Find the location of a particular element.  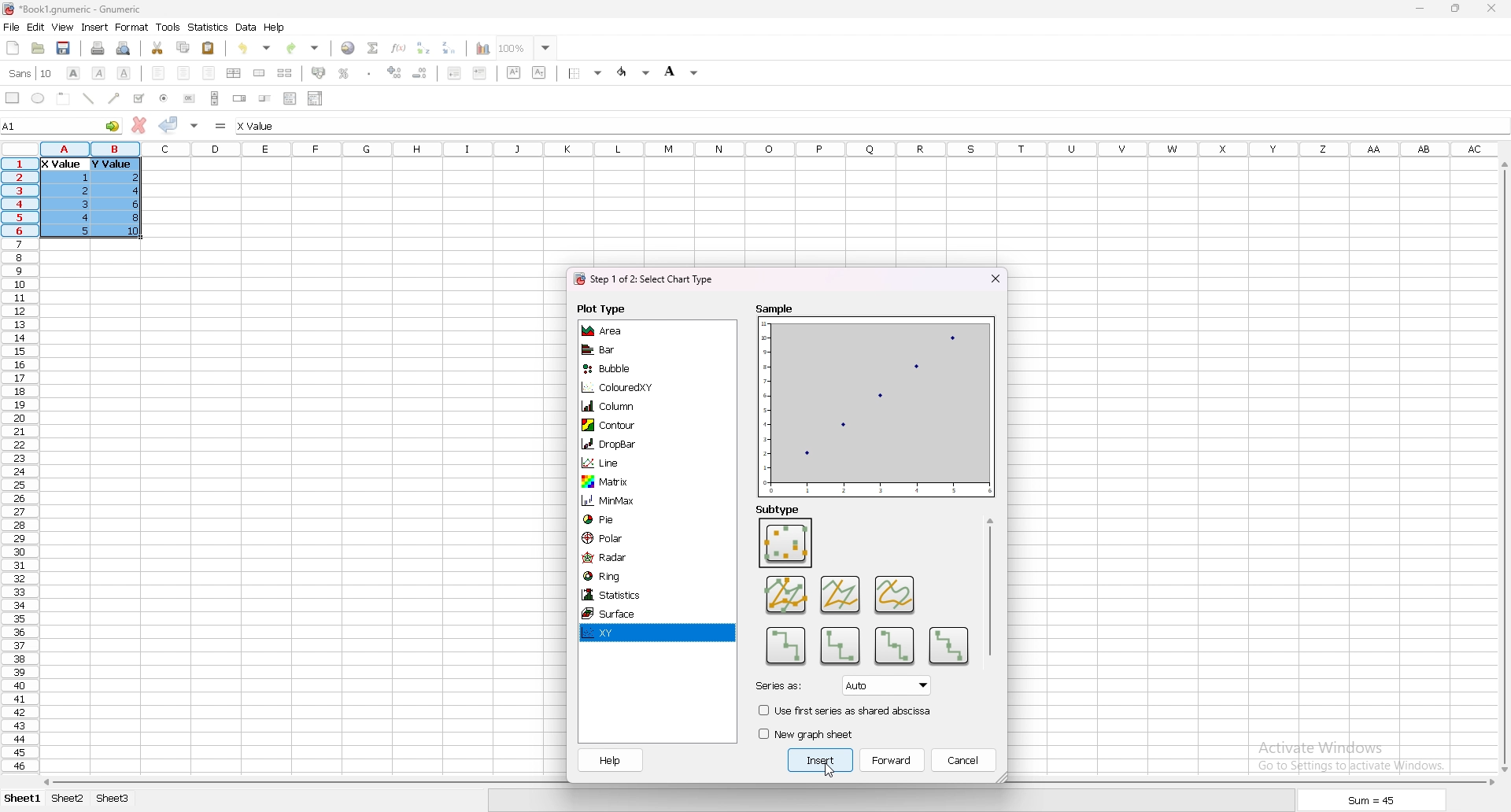

edit is located at coordinates (35, 27).